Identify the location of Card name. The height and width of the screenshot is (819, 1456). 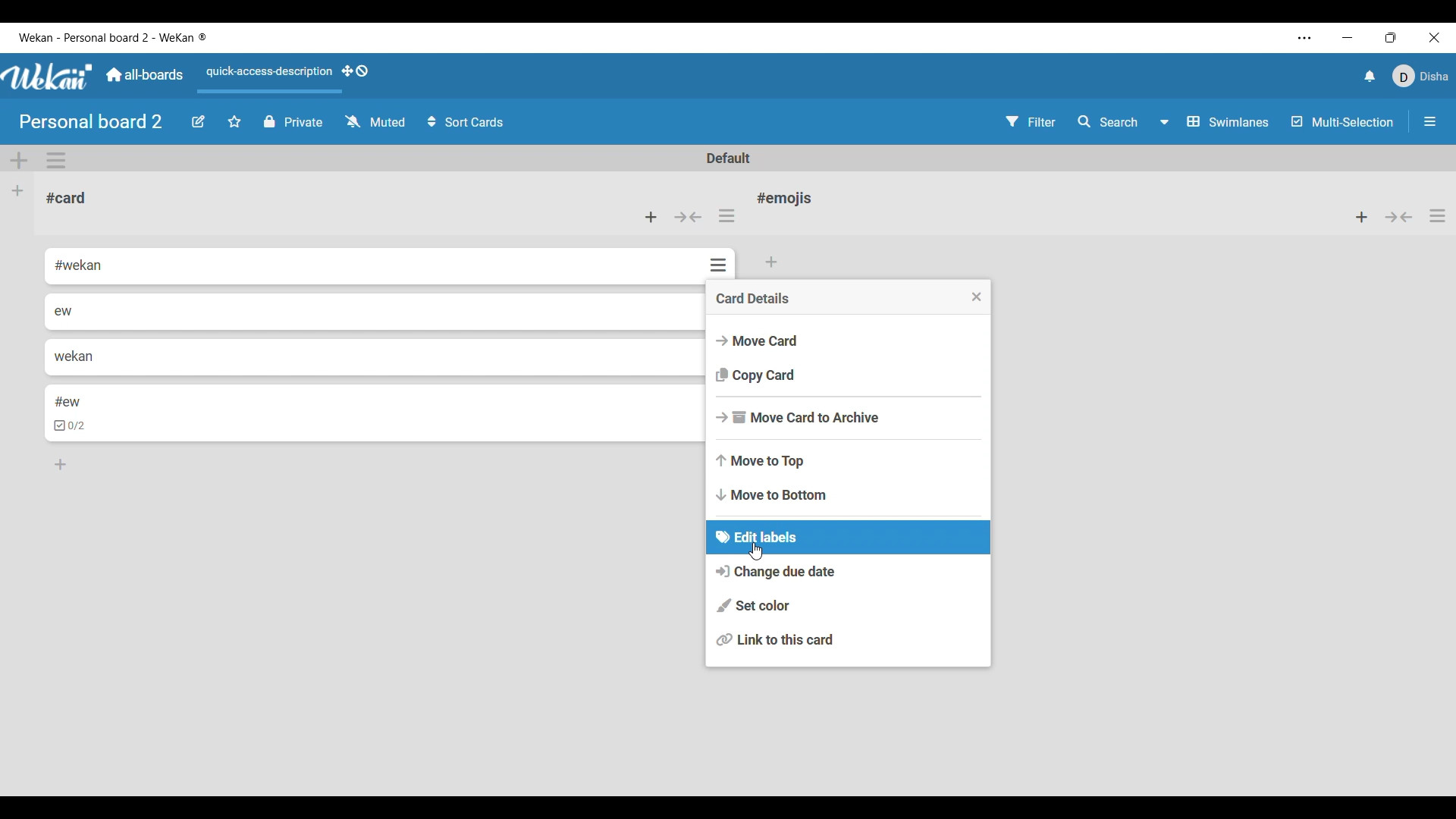
(788, 198).